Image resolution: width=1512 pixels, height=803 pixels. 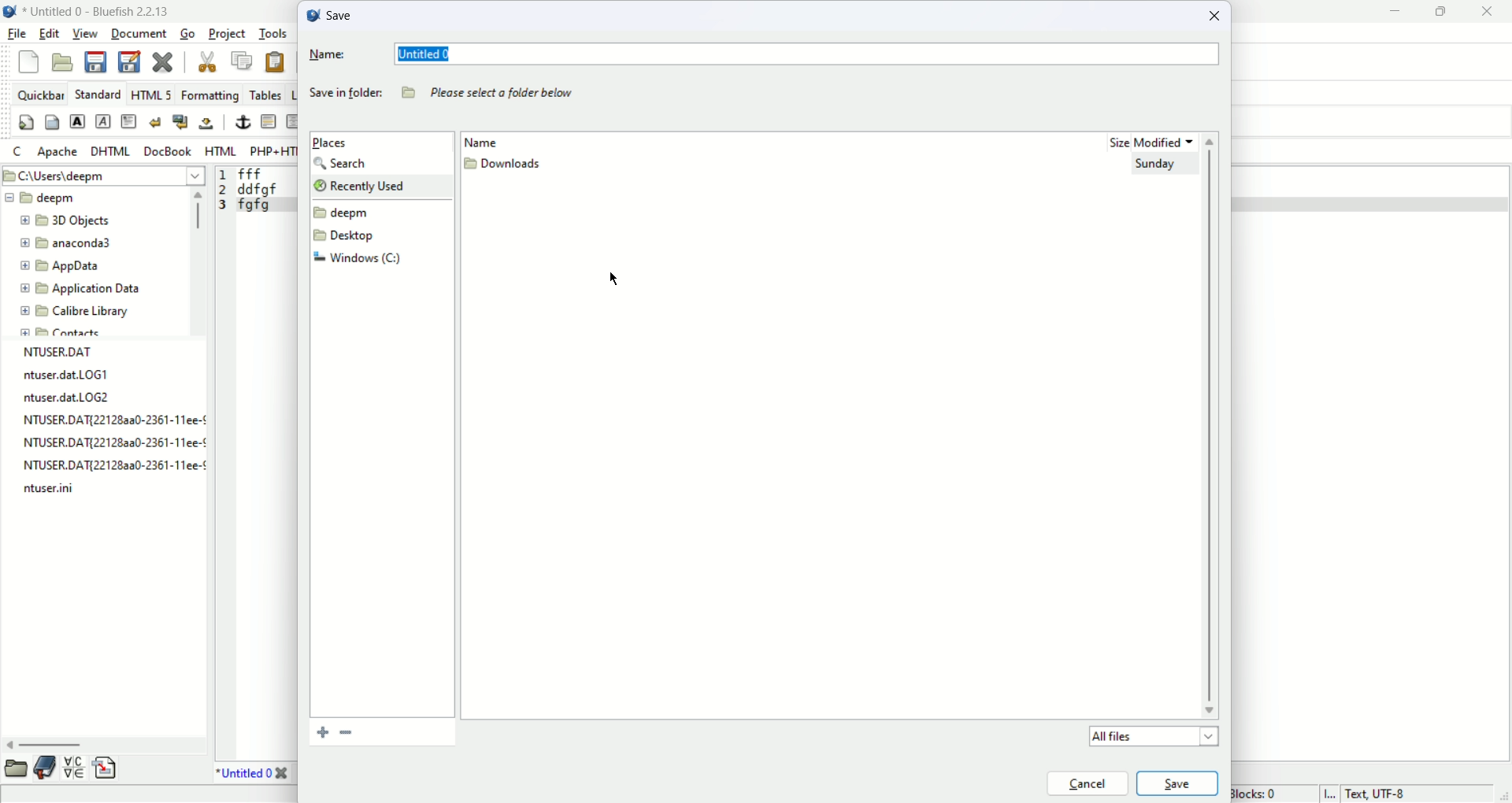 I want to click on paste, so click(x=276, y=64).